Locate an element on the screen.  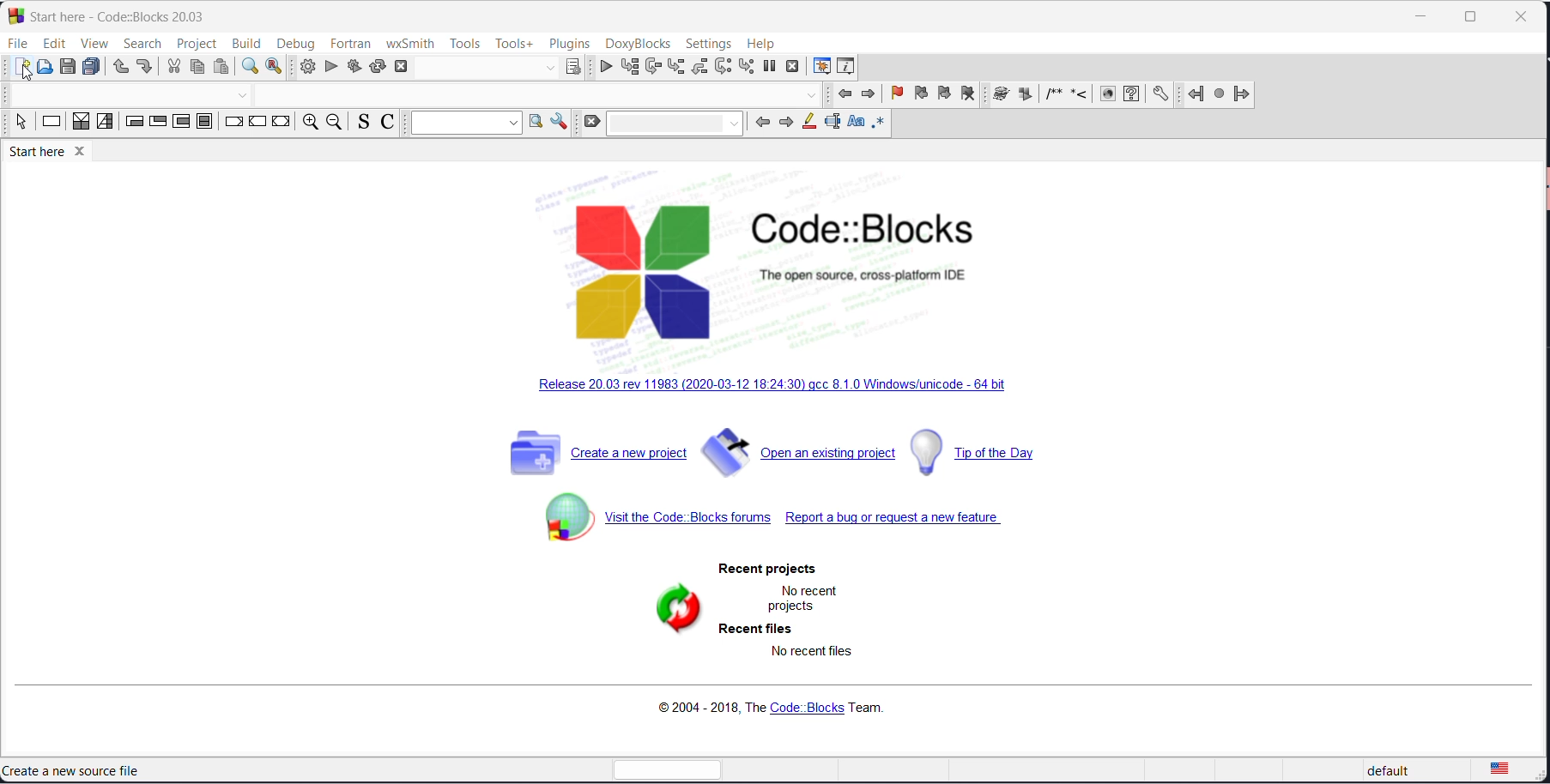
undo is located at coordinates (121, 69).